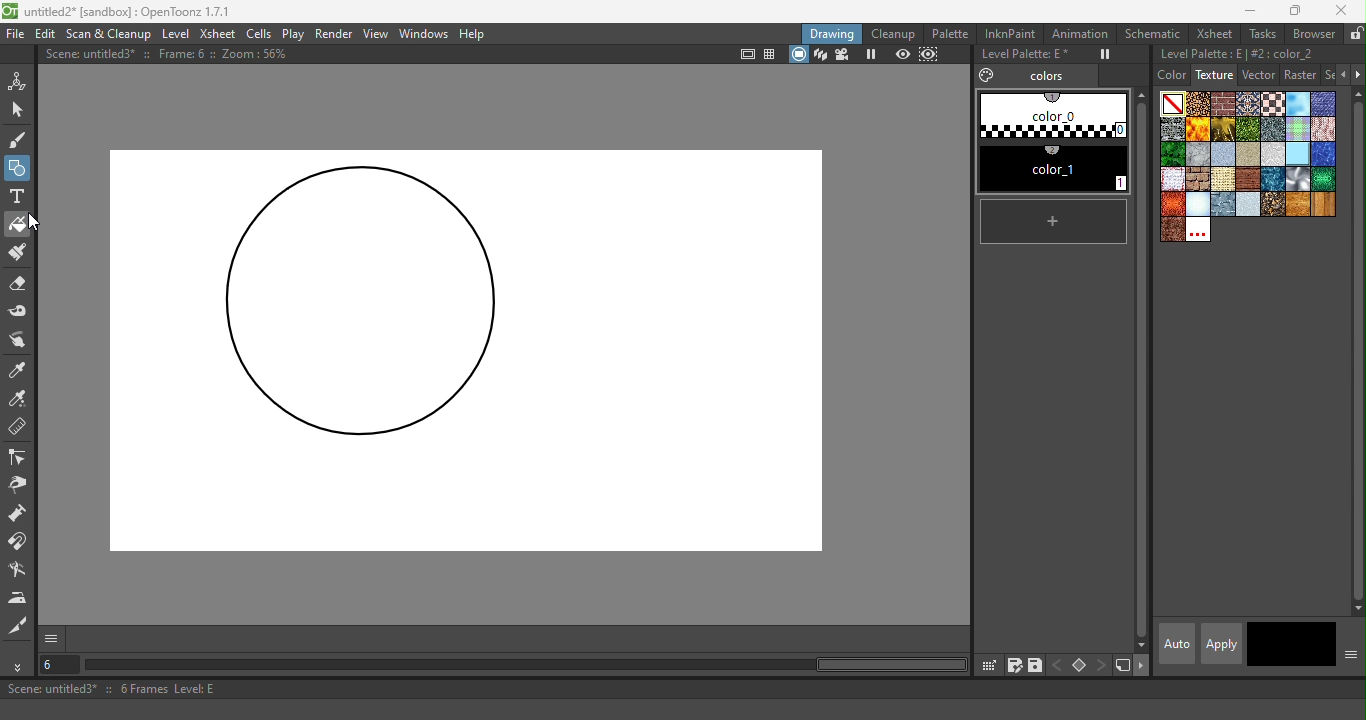 The height and width of the screenshot is (720, 1366). Describe the element at coordinates (20, 571) in the screenshot. I see `Blender tool` at that location.